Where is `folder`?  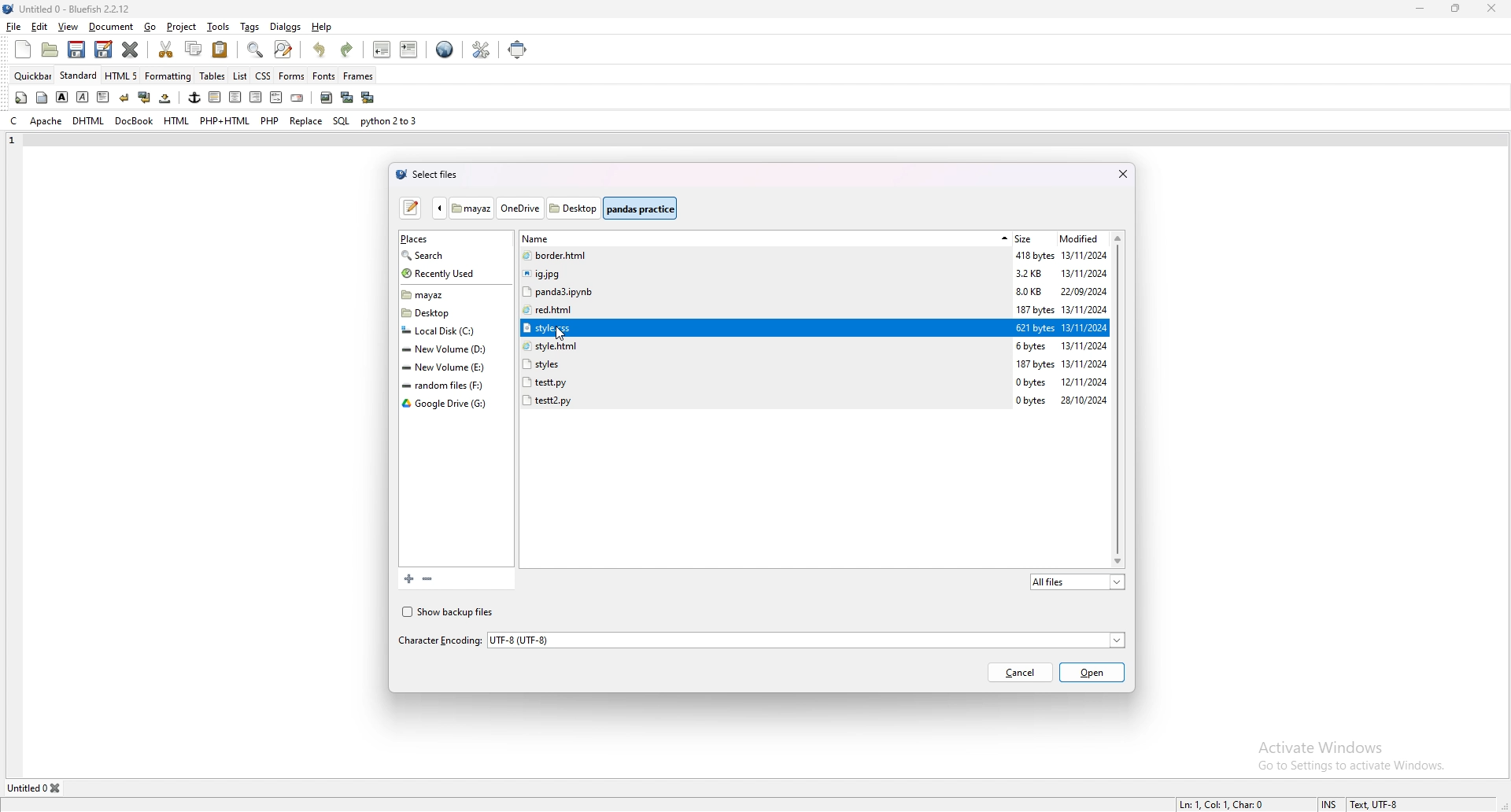
folder is located at coordinates (452, 385).